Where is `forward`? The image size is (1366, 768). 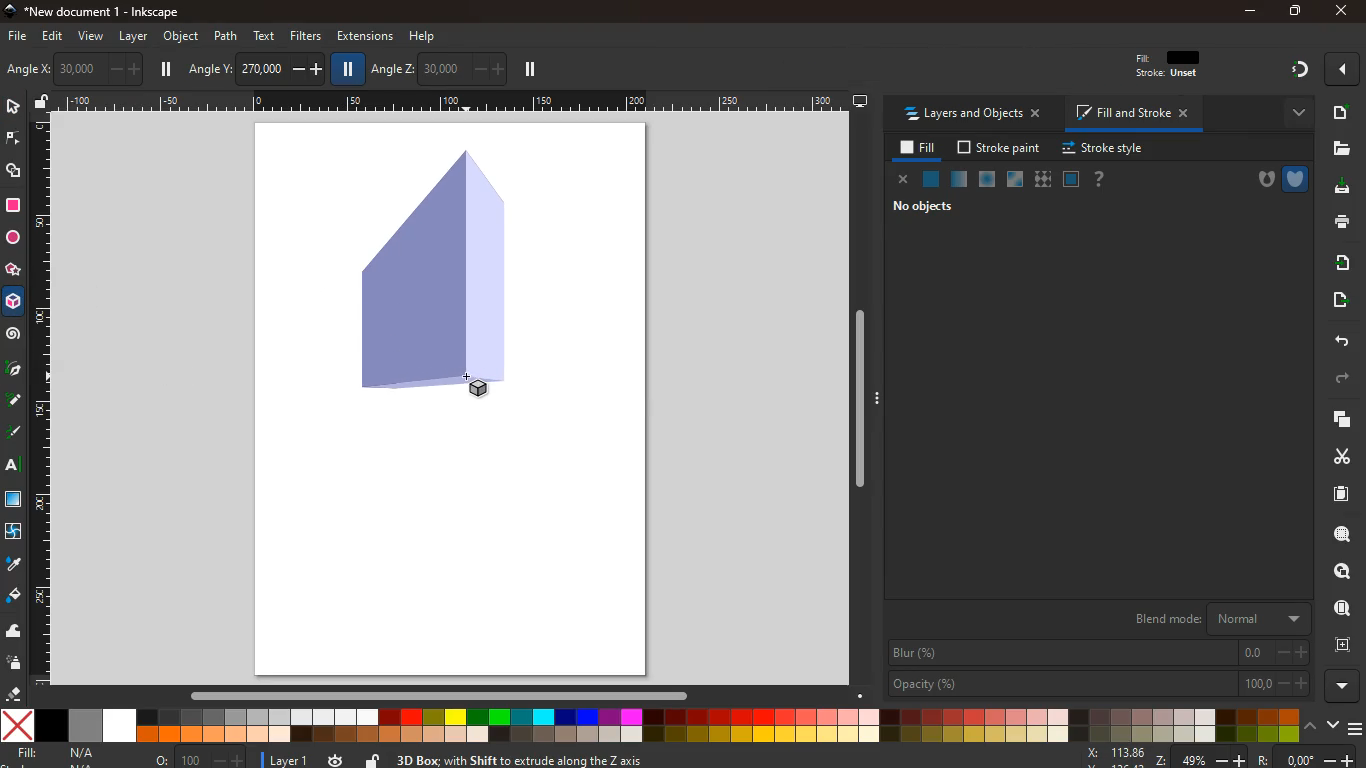
forward is located at coordinates (1348, 379).